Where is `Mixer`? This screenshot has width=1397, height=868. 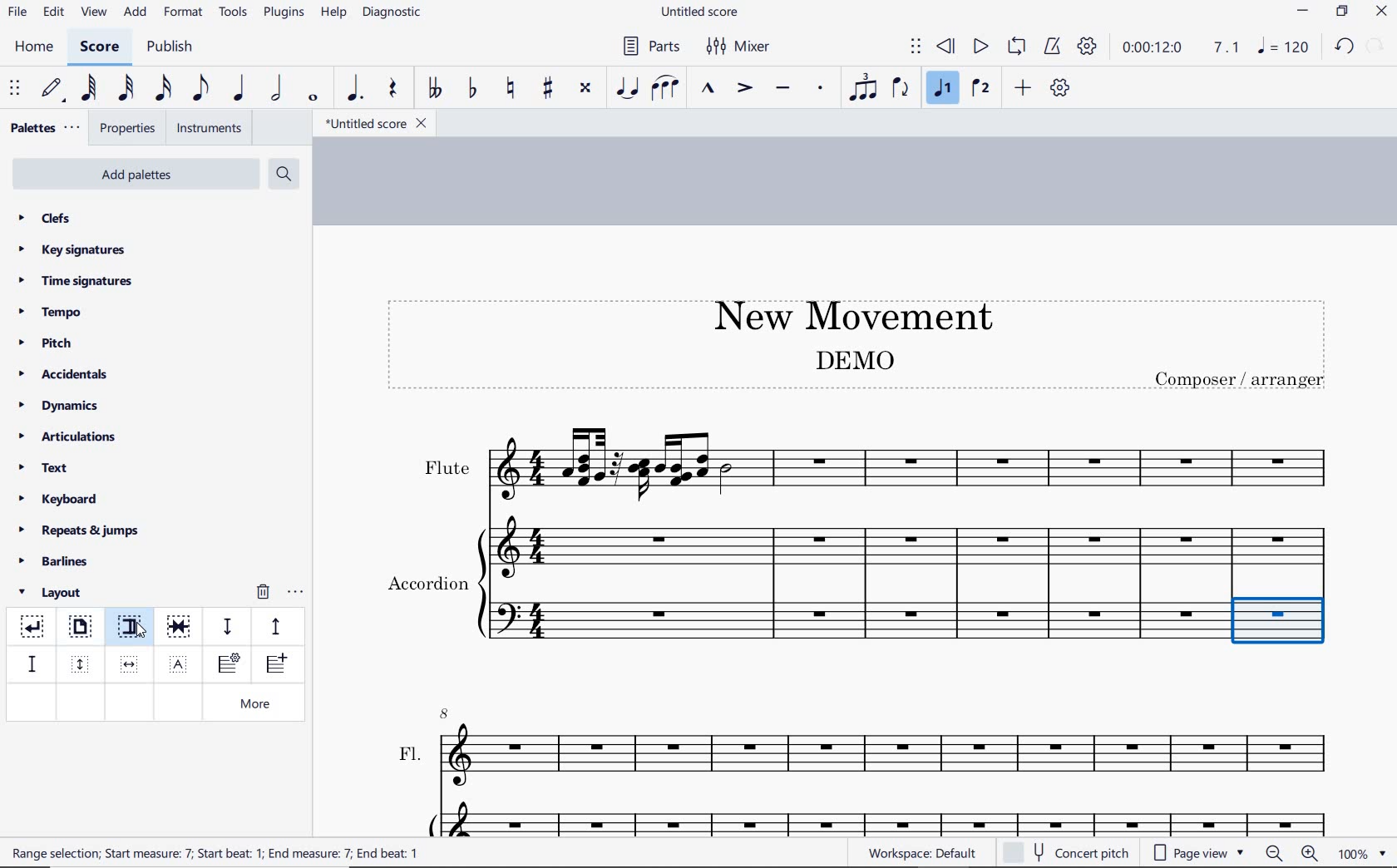 Mixer is located at coordinates (739, 47).